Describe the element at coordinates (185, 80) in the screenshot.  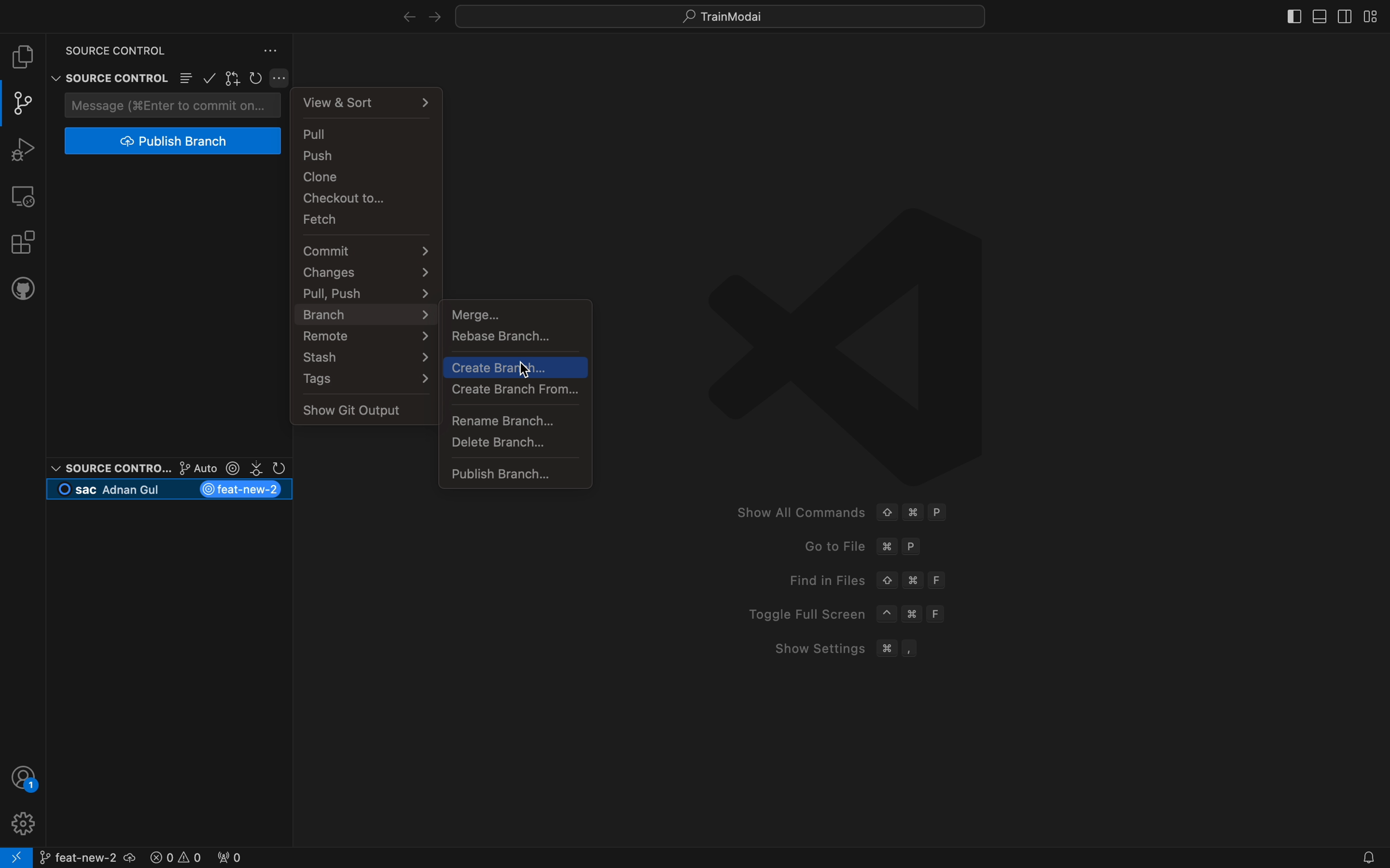
I see `` at that location.